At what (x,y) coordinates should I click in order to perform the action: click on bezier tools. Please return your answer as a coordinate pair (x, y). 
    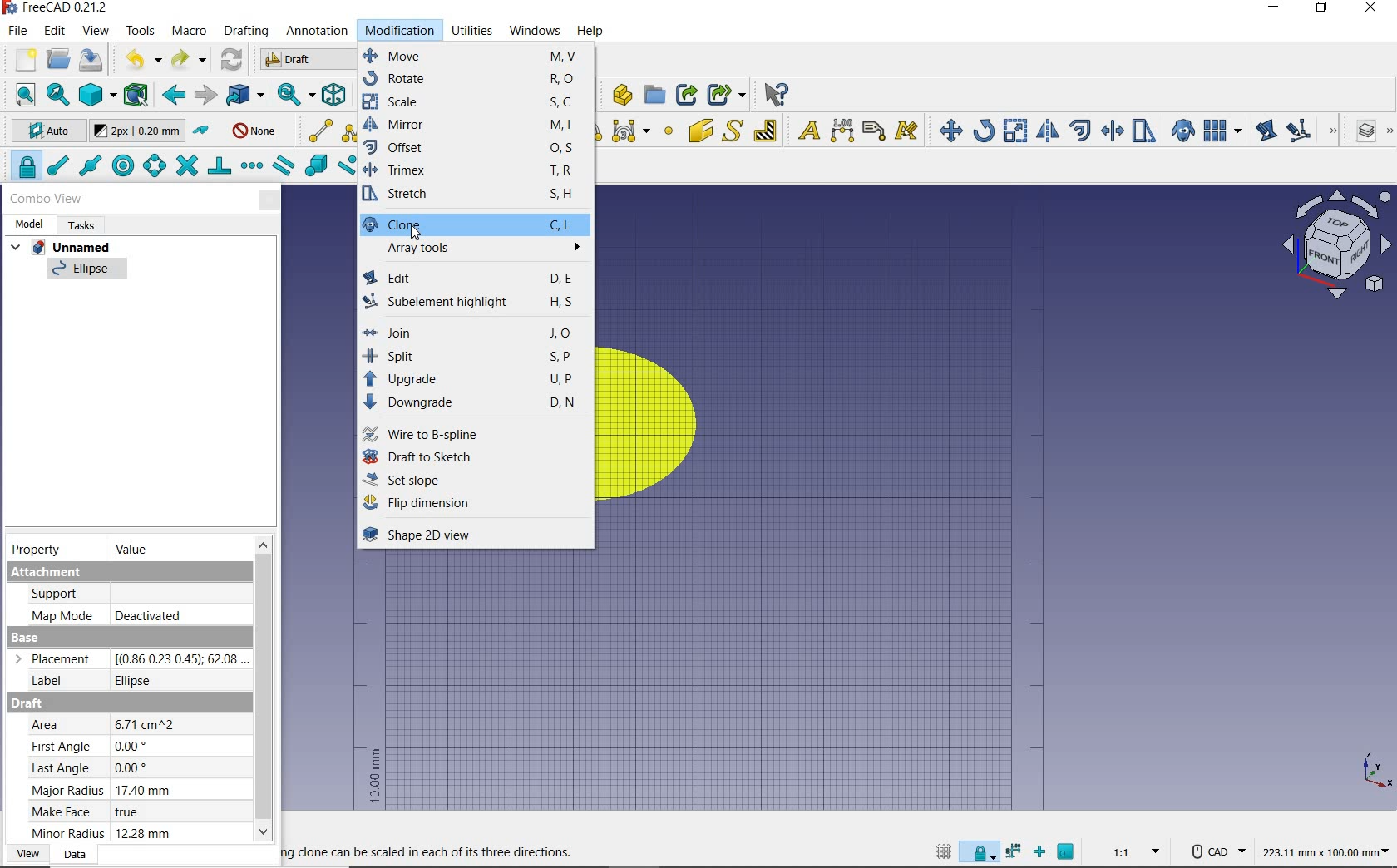
    Looking at the image, I should click on (632, 133).